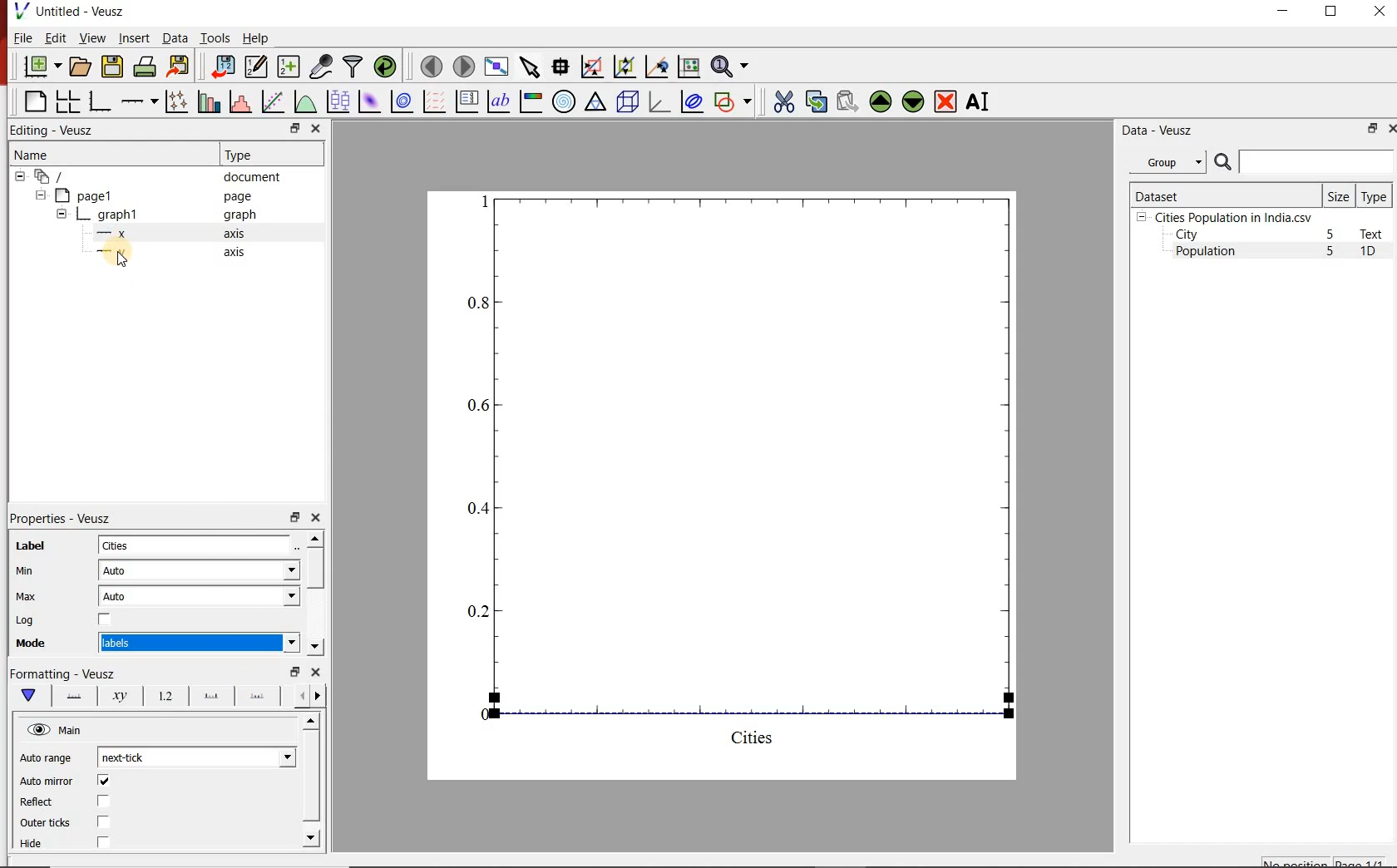  What do you see at coordinates (73, 698) in the screenshot?
I see `Axis line` at bounding box center [73, 698].